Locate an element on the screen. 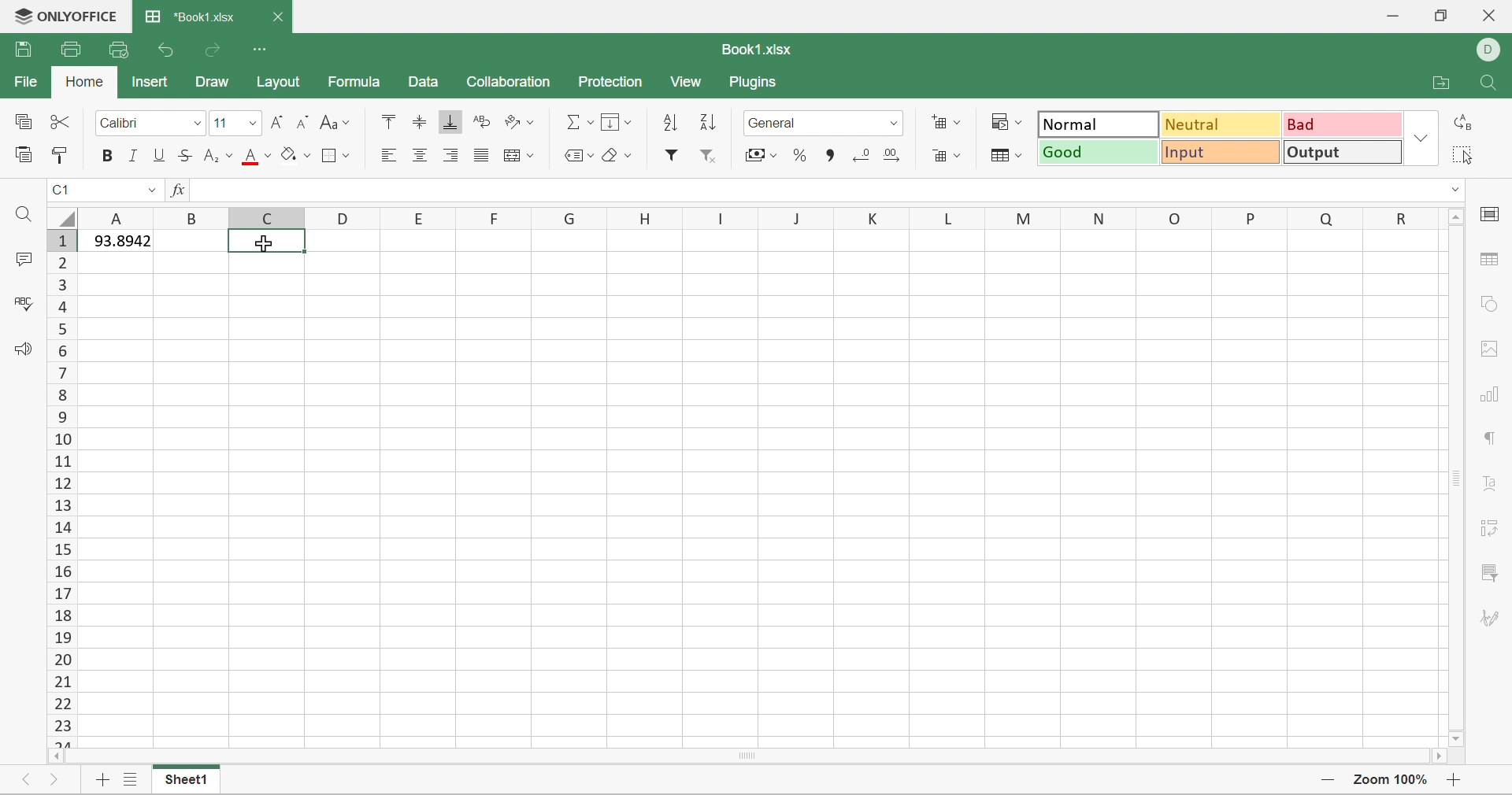 This screenshot has width=1512, height=795. Cut is located at coordinates (57, 122).